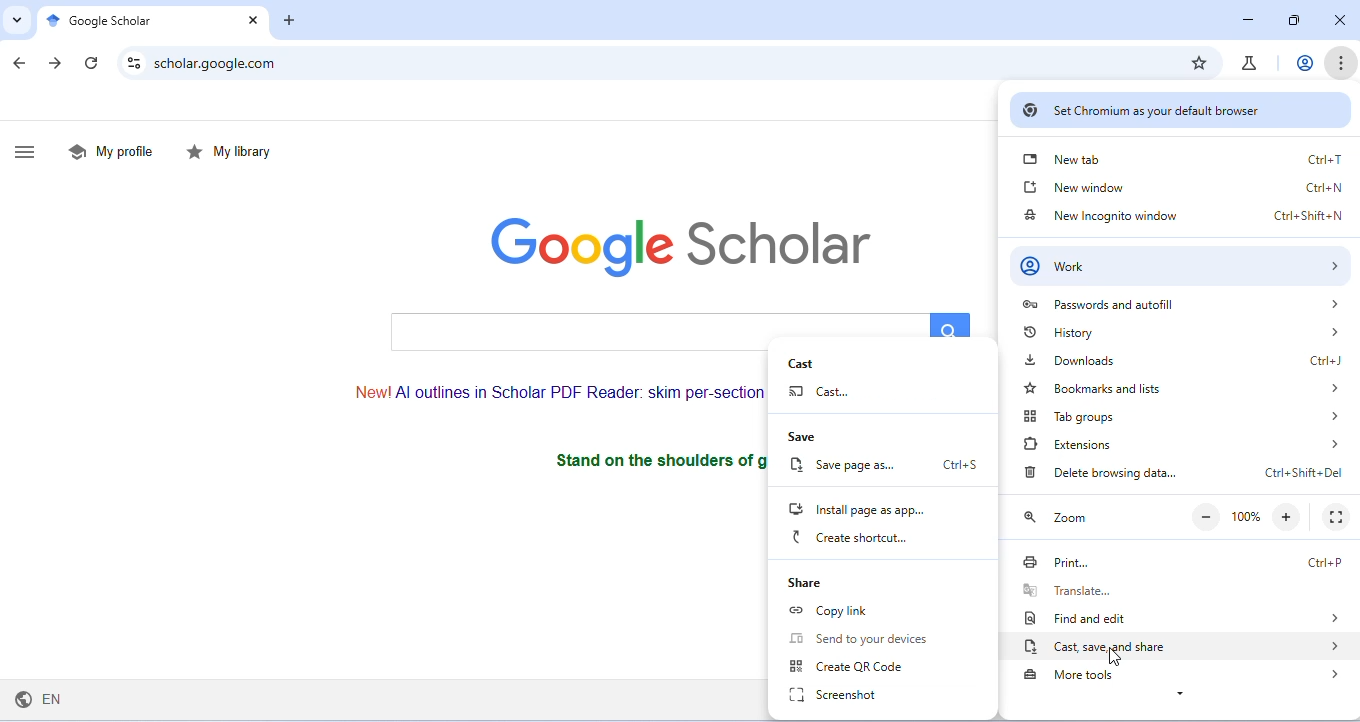 Image resolution: width=1360 pixels, height=722 pixels. Describe the element at coordinates (1252, 63) in the screenshot. I see `chrome labs` at that location.